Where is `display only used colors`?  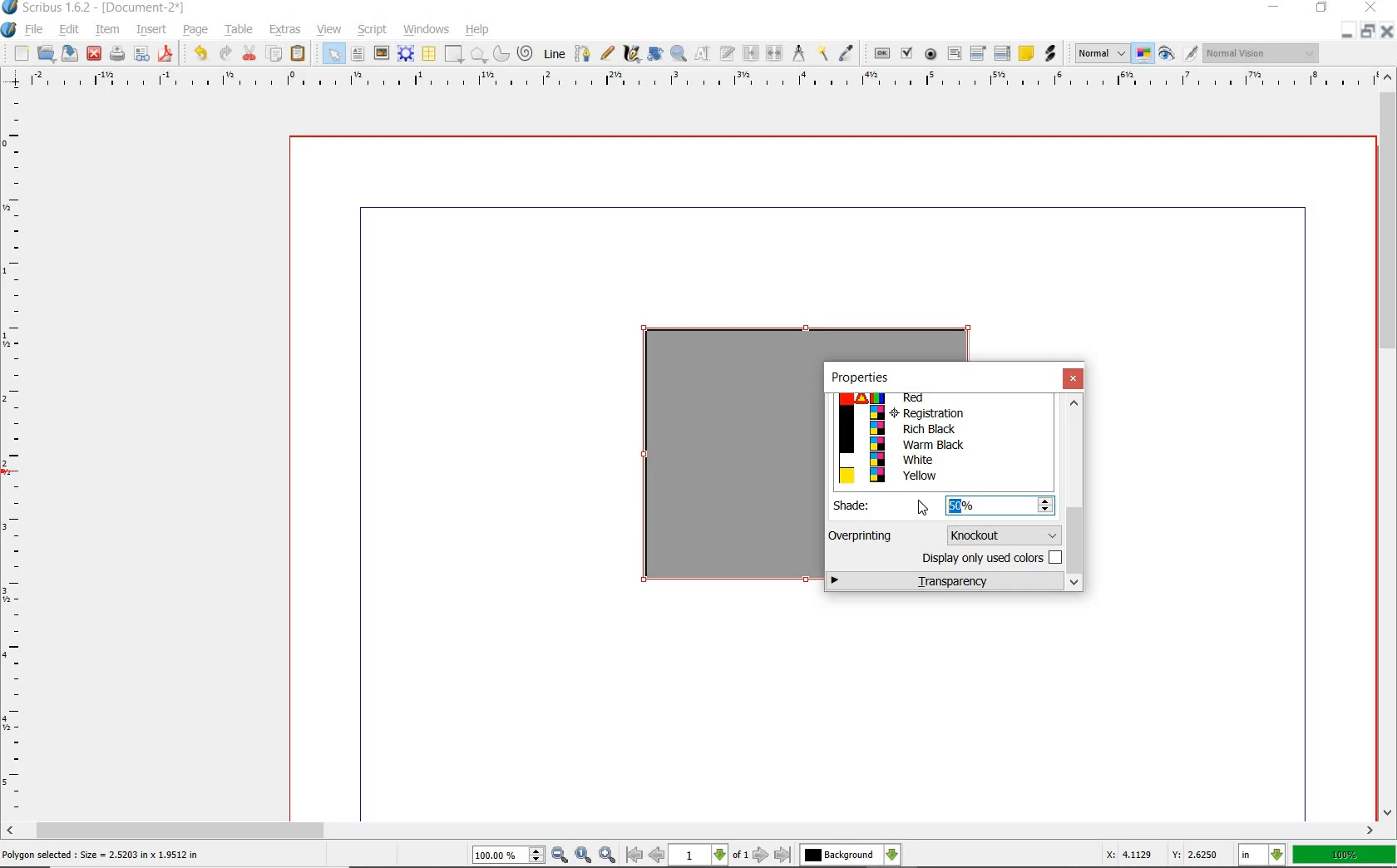
display only used colors is located at coordinates (990, 560).